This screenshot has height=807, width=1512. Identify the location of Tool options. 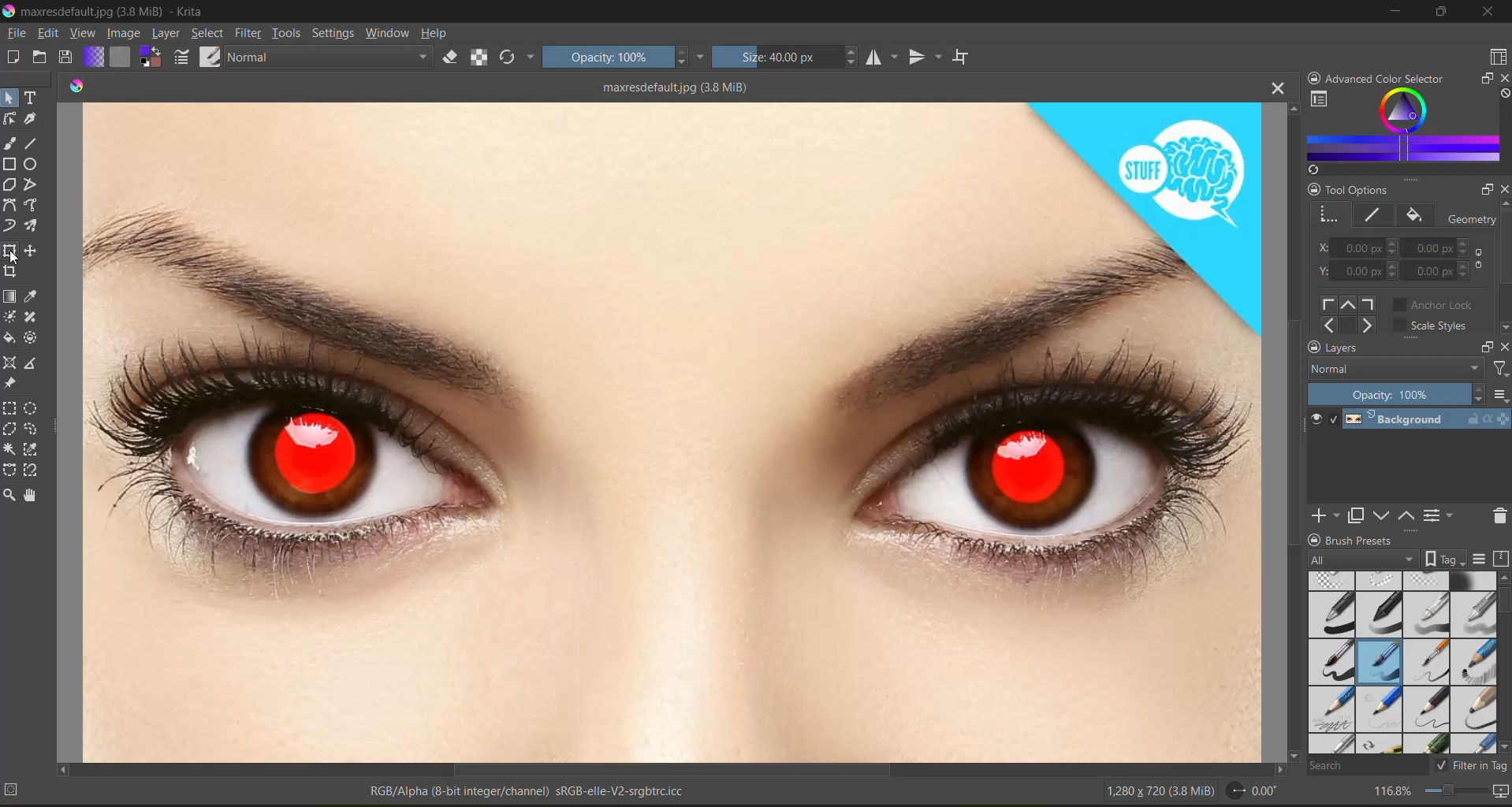
(1372, 188).